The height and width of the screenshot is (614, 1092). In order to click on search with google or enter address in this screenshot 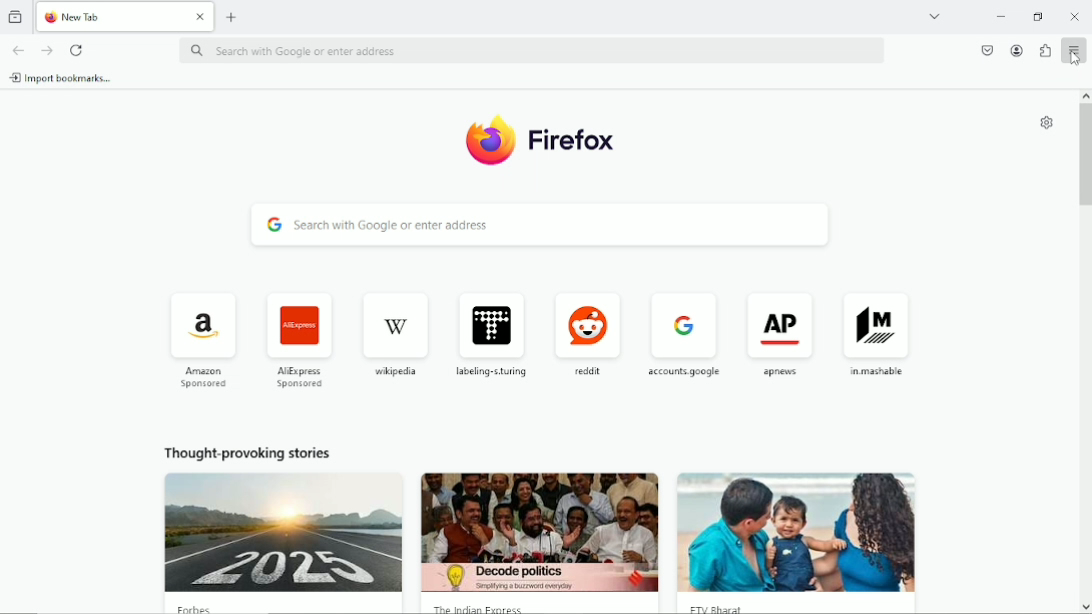, I will do `click(532, 50)`.